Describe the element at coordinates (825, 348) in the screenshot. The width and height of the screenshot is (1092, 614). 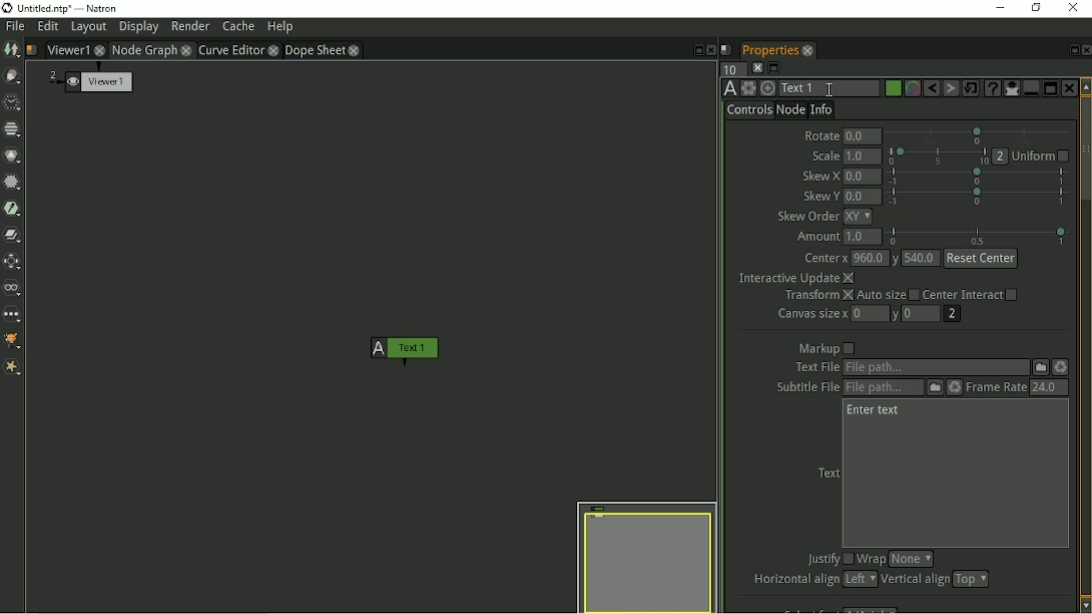
I see `Markup` at that location.